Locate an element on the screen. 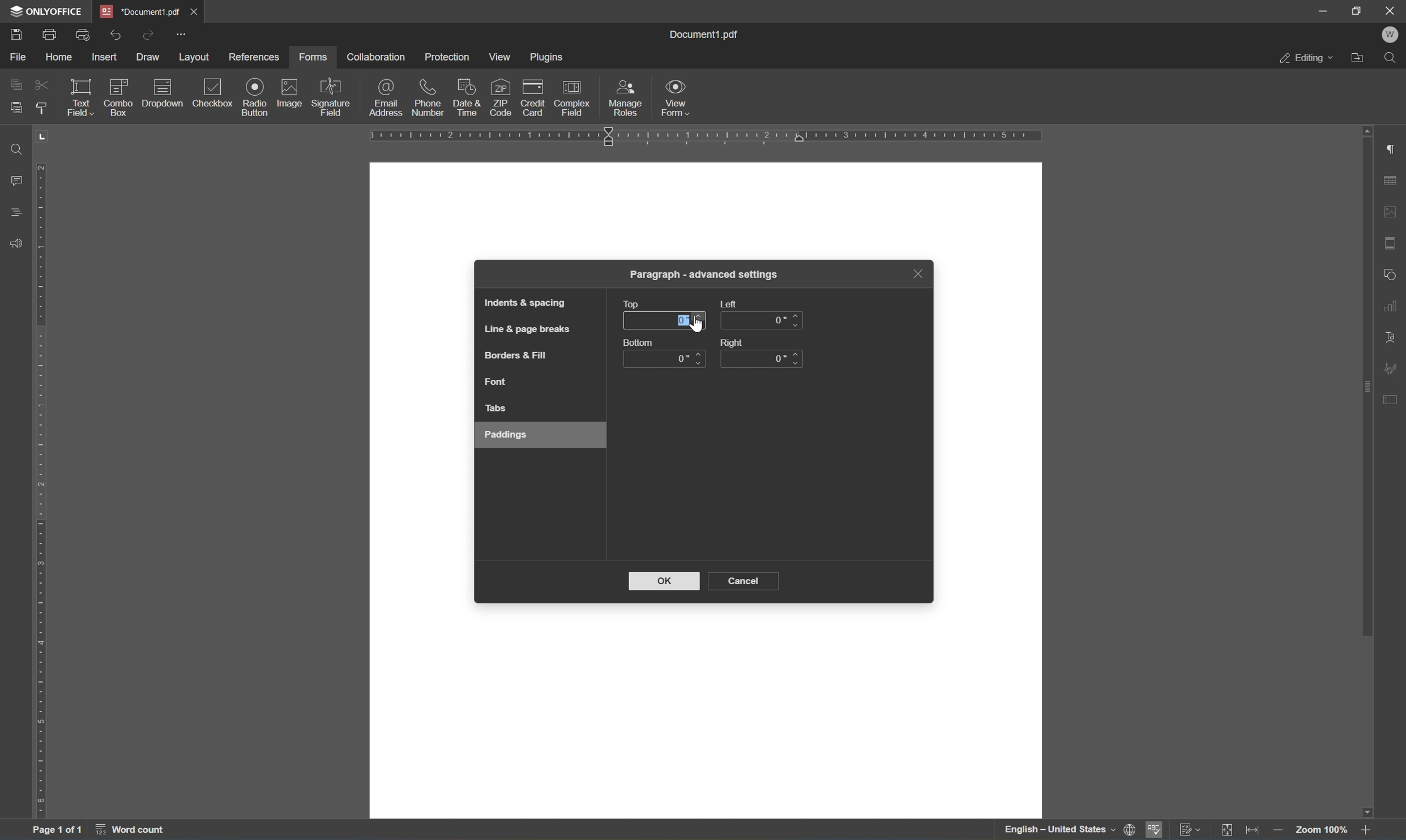 This screenshot has width=1406, height=840. header & footer settings is located at coordinates (1391, 244).